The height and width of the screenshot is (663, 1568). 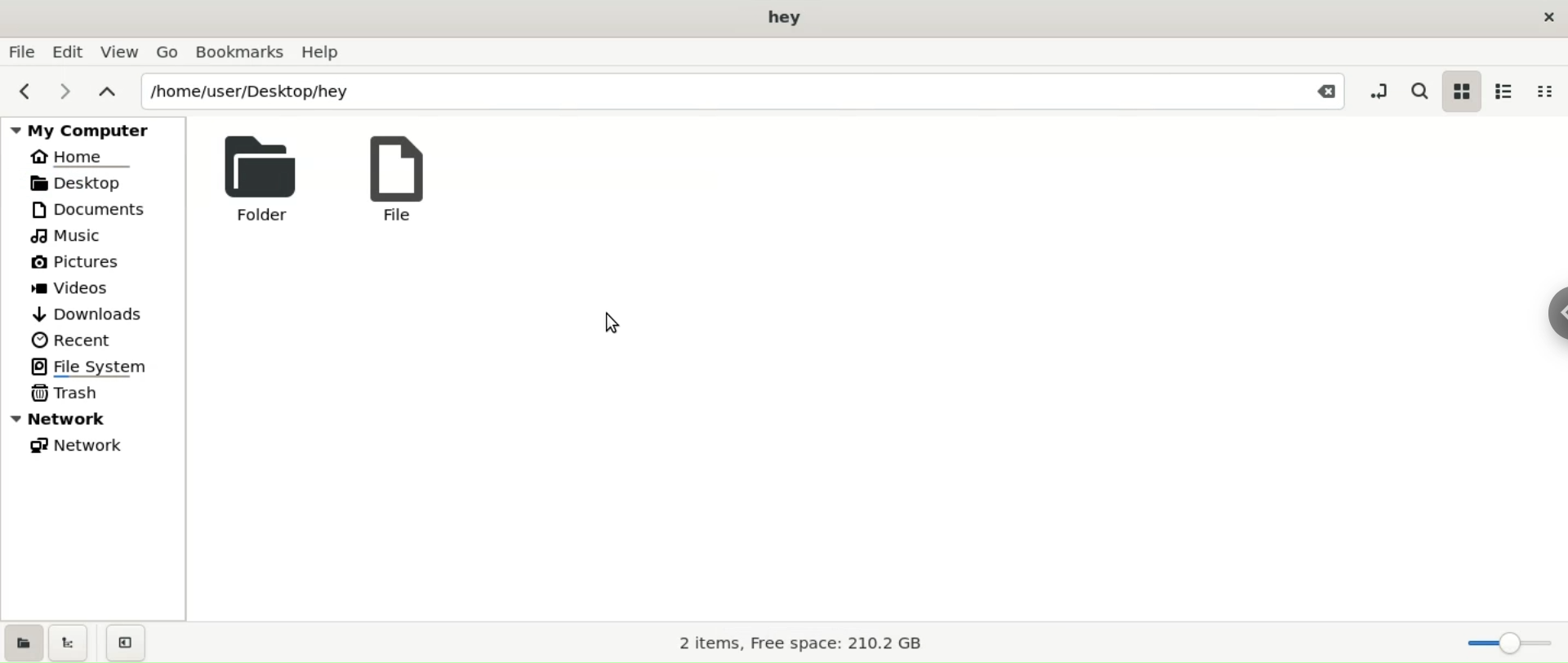 What do you see at coordinates (108, 89) in the screenshot?
I see `parent folders` at bounding box center [108, 89].